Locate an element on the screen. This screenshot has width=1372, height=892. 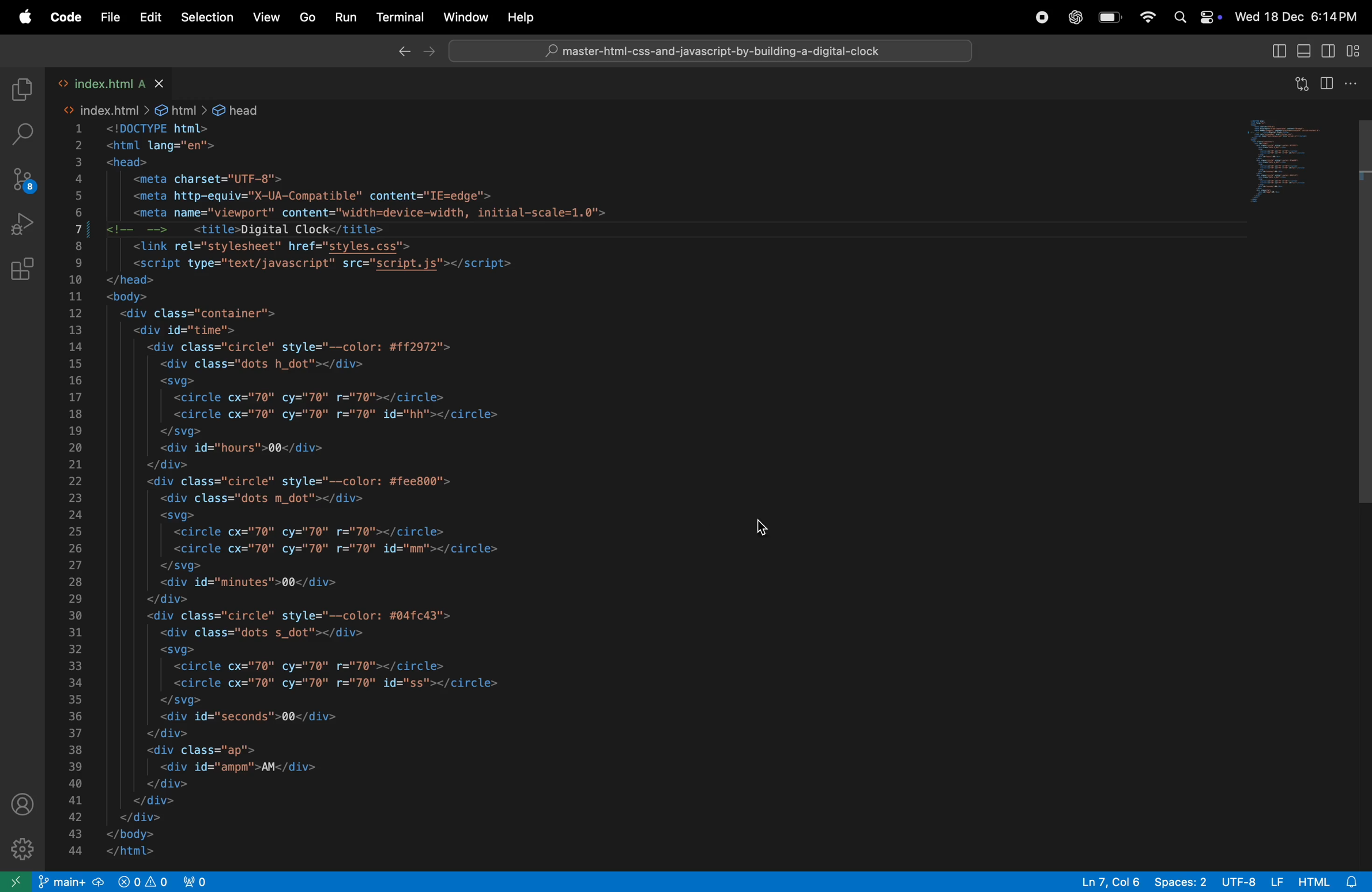
profile is located at coordinates (20, 807).